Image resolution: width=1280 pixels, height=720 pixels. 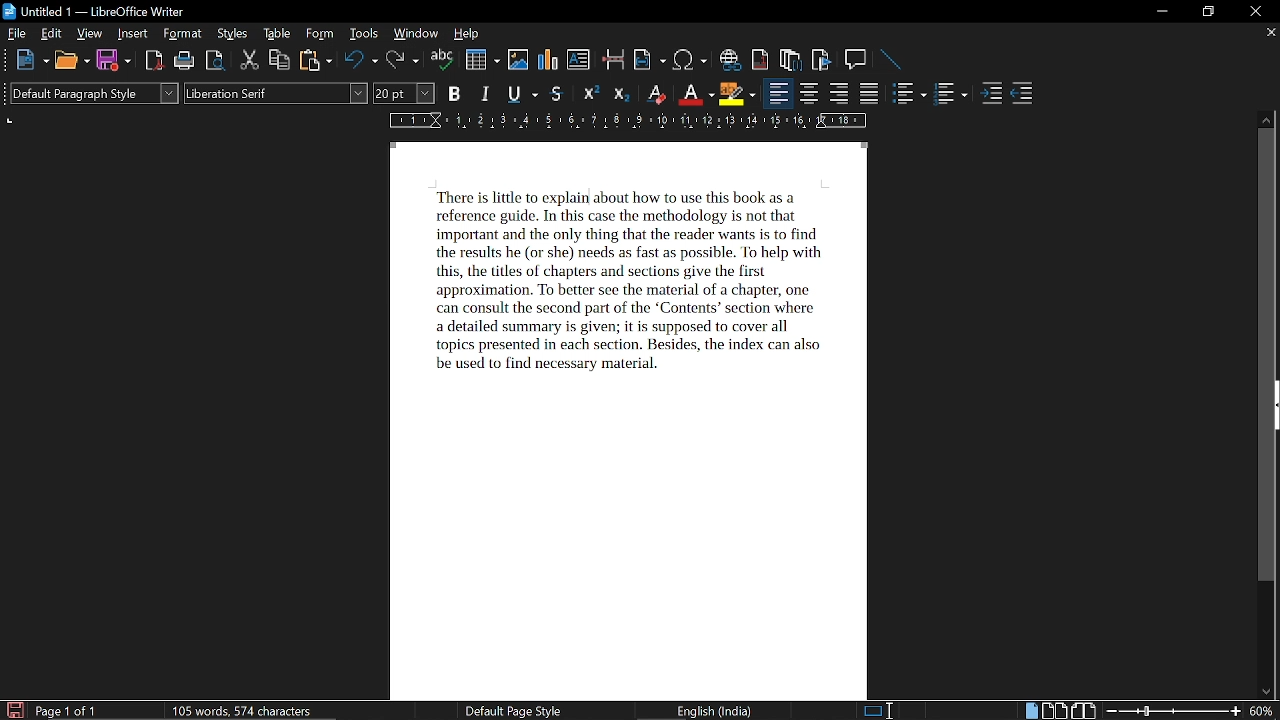 What do you see at coordinates (650, 61) in the screenshot?
I see `insert field` at bounding box center [650, 61].